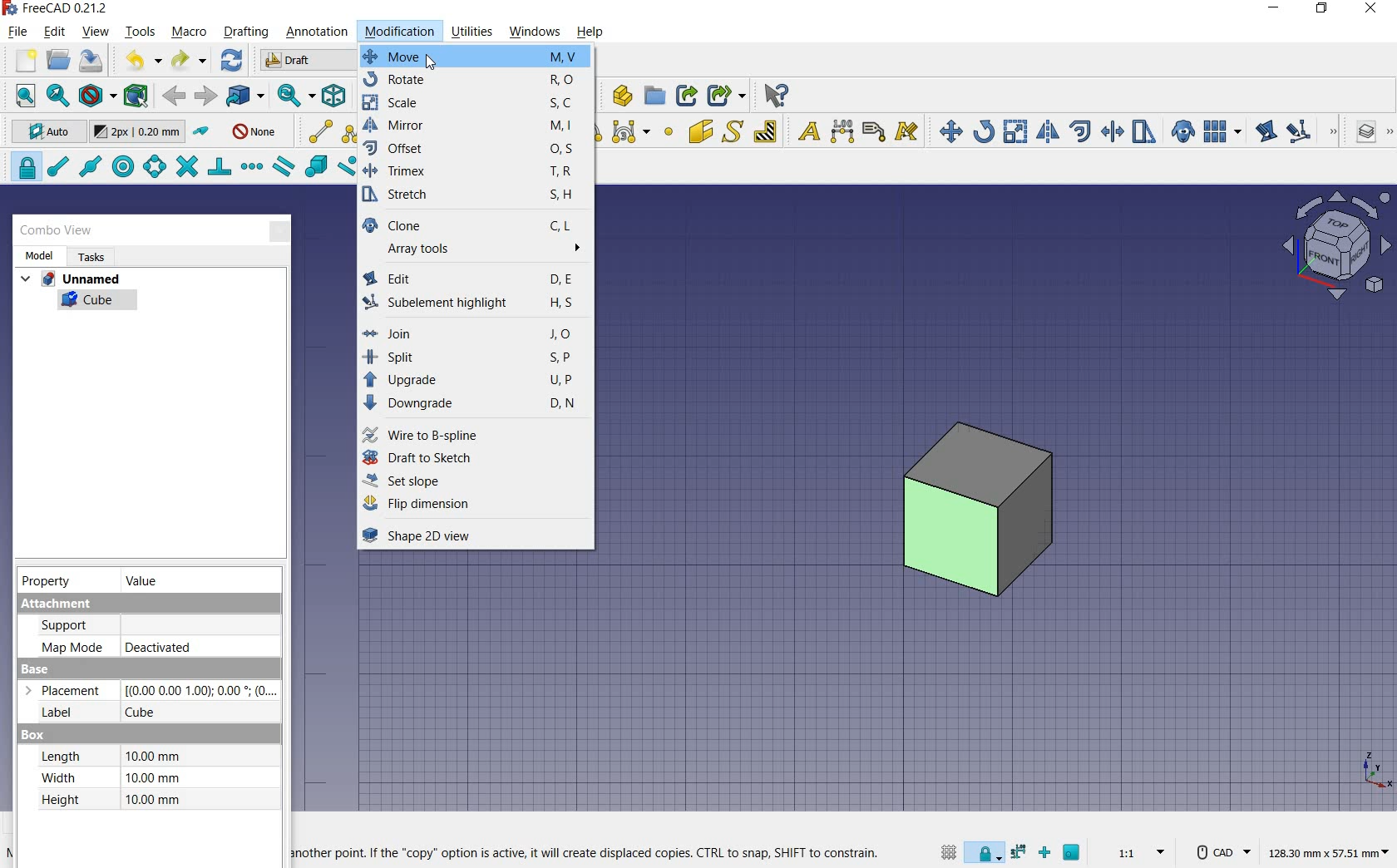 This screenshot has height=868, width=1397. What do you see at coordinates (244, 96) in the screenshot?
I see `go to linked objects` at bounding box center [244, 96].